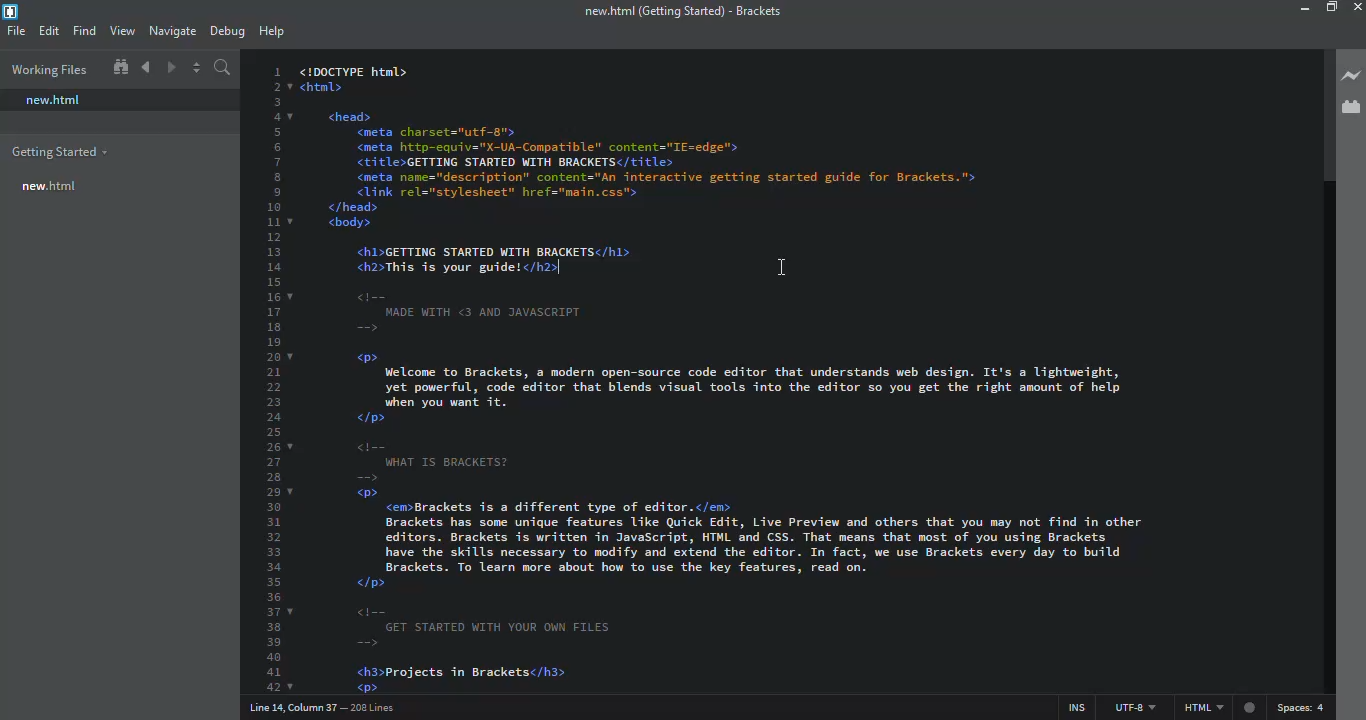 This screenshot has height=720, width=1366. Describe the element at coordinates (195, 67) in the screenshot. I see `split editor` at that location.